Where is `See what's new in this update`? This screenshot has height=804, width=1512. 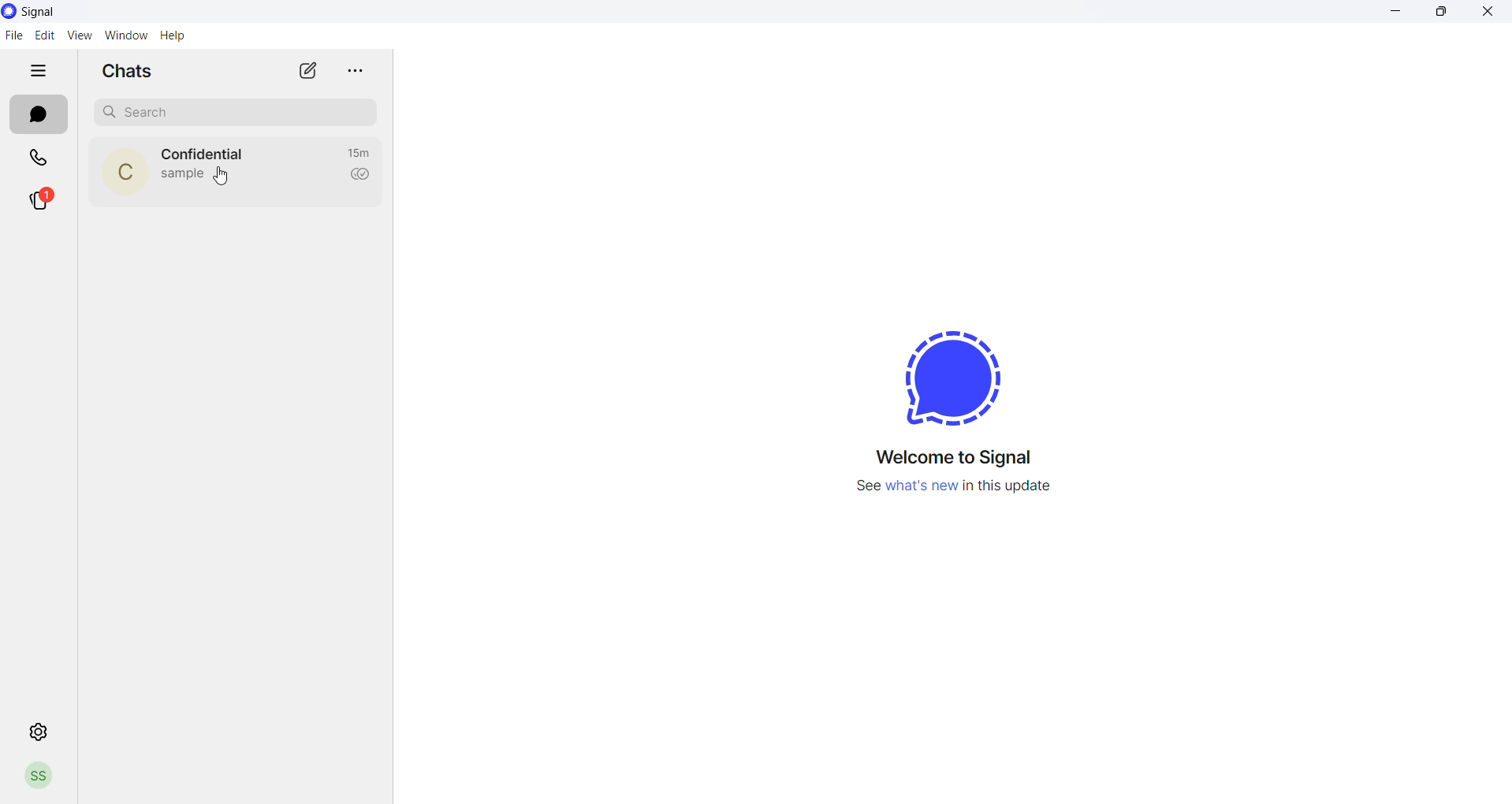
See what's new in this update is located at coordinates (957, 488).